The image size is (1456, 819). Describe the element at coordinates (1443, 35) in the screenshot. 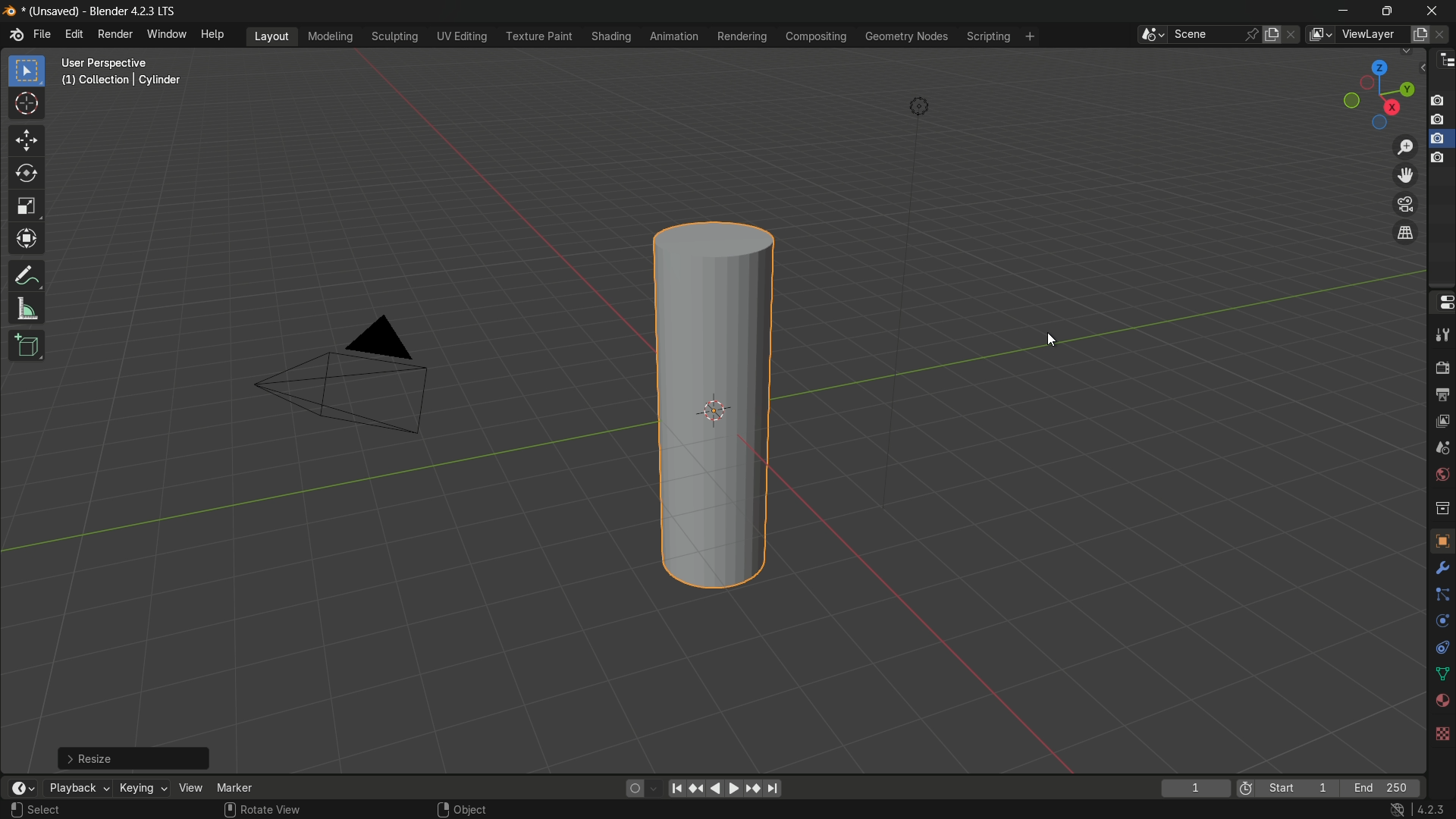

I see `remove view layer` at that location.